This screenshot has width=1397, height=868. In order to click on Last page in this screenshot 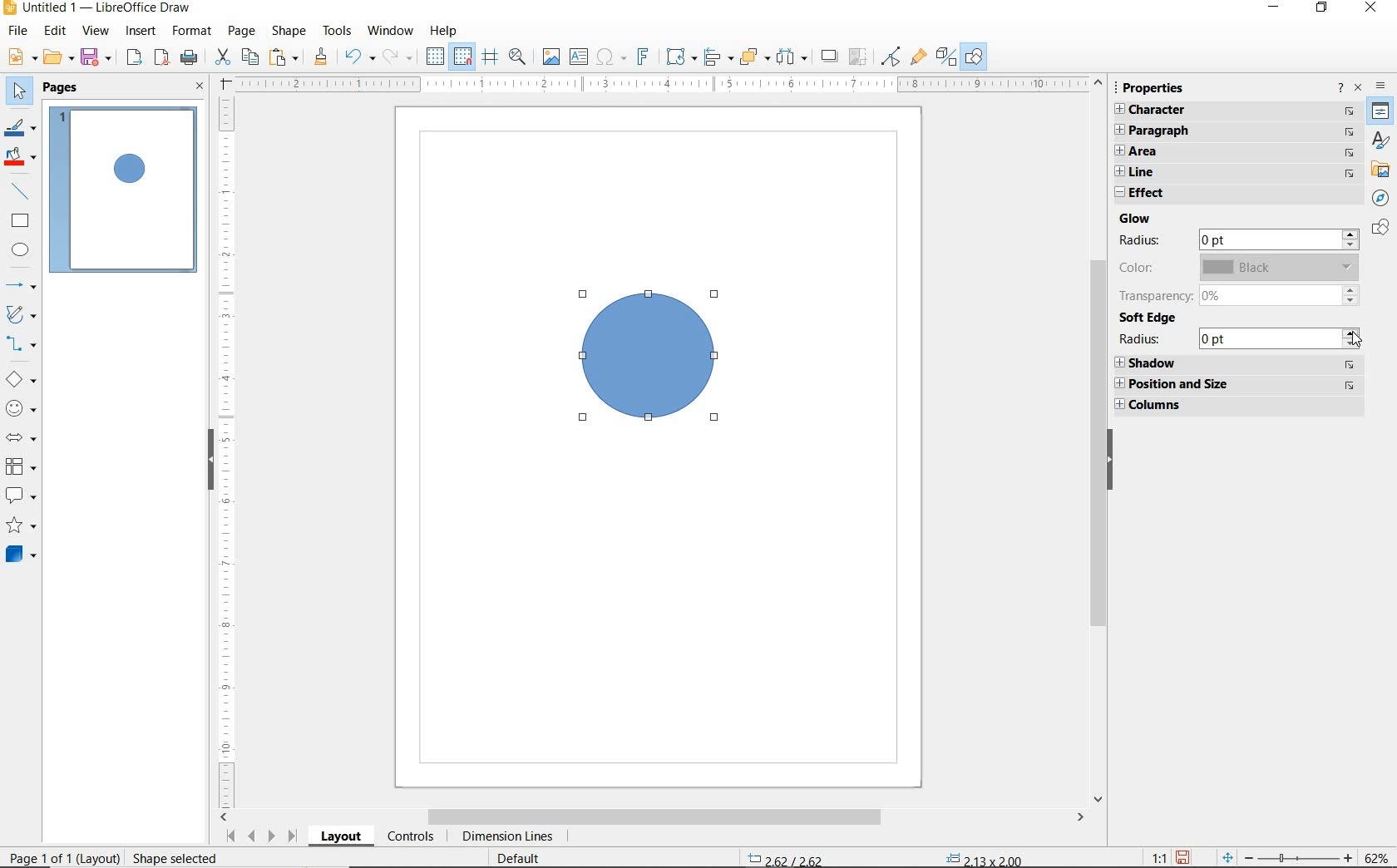, I will do `click(292, 837)`.